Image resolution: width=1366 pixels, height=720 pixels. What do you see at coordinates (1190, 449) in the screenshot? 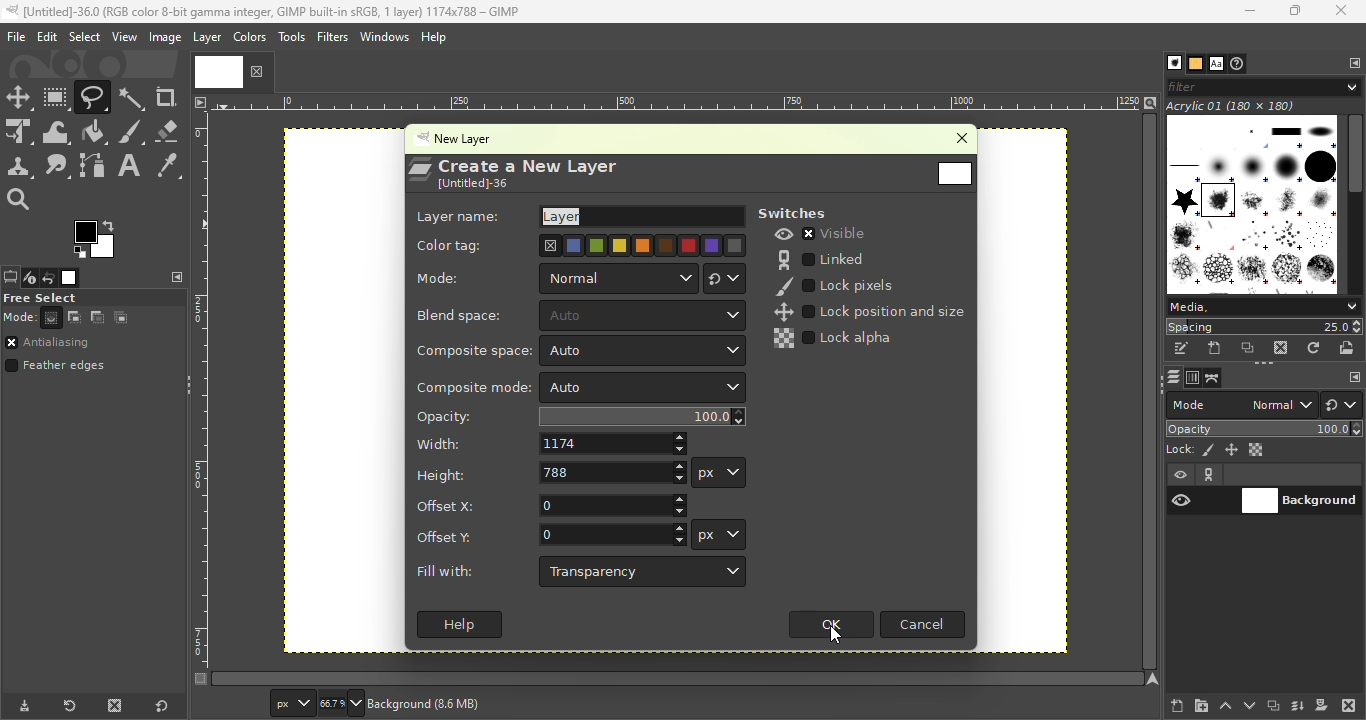
I see `Lock pixels` at bounding box center [1190, 449].